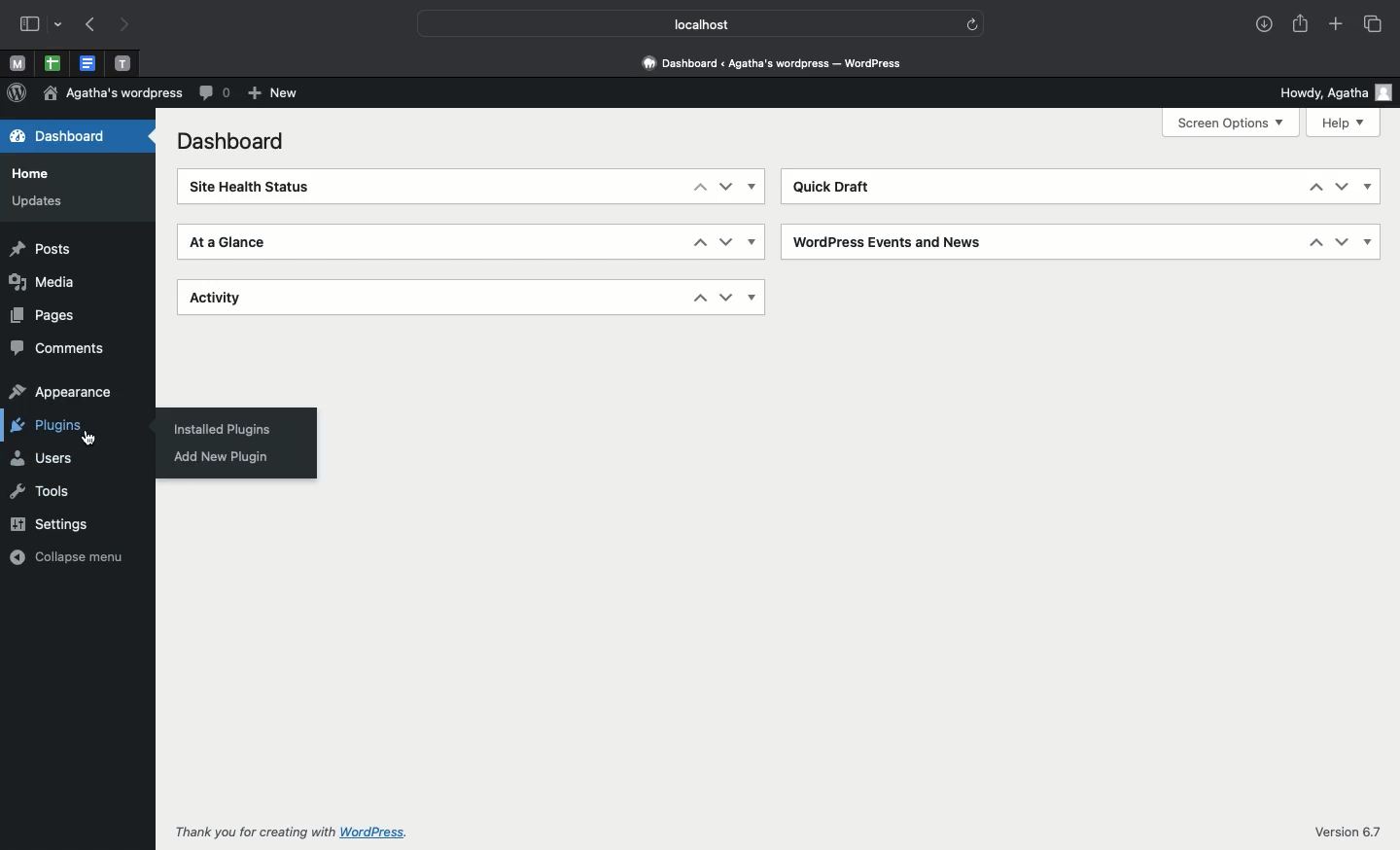  Describe the element at coordinates (1336, 24) in the screenshot. I see `Add new tab` at that location.